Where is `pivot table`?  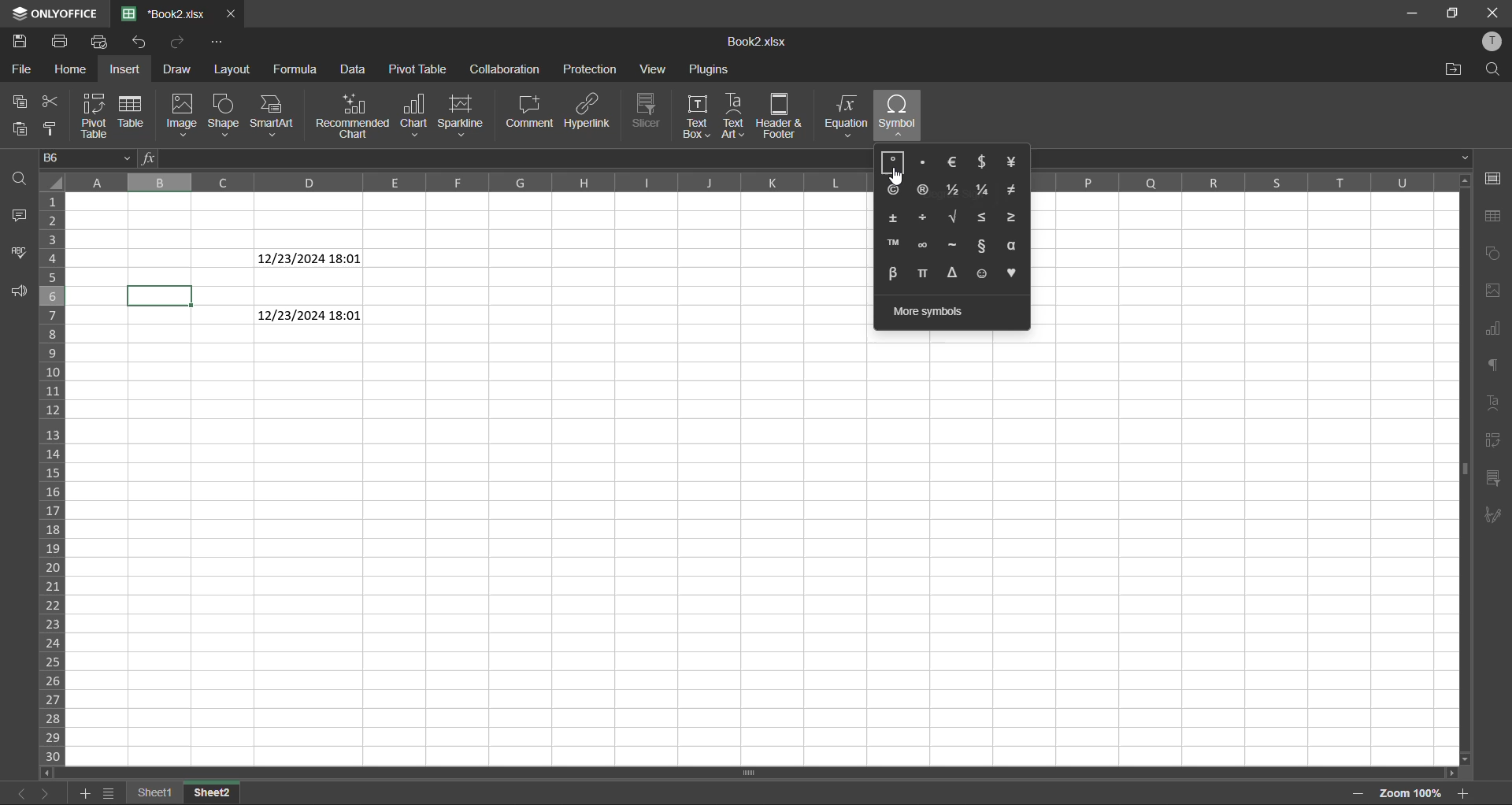
pivot table is located at coordinates (421, 69).